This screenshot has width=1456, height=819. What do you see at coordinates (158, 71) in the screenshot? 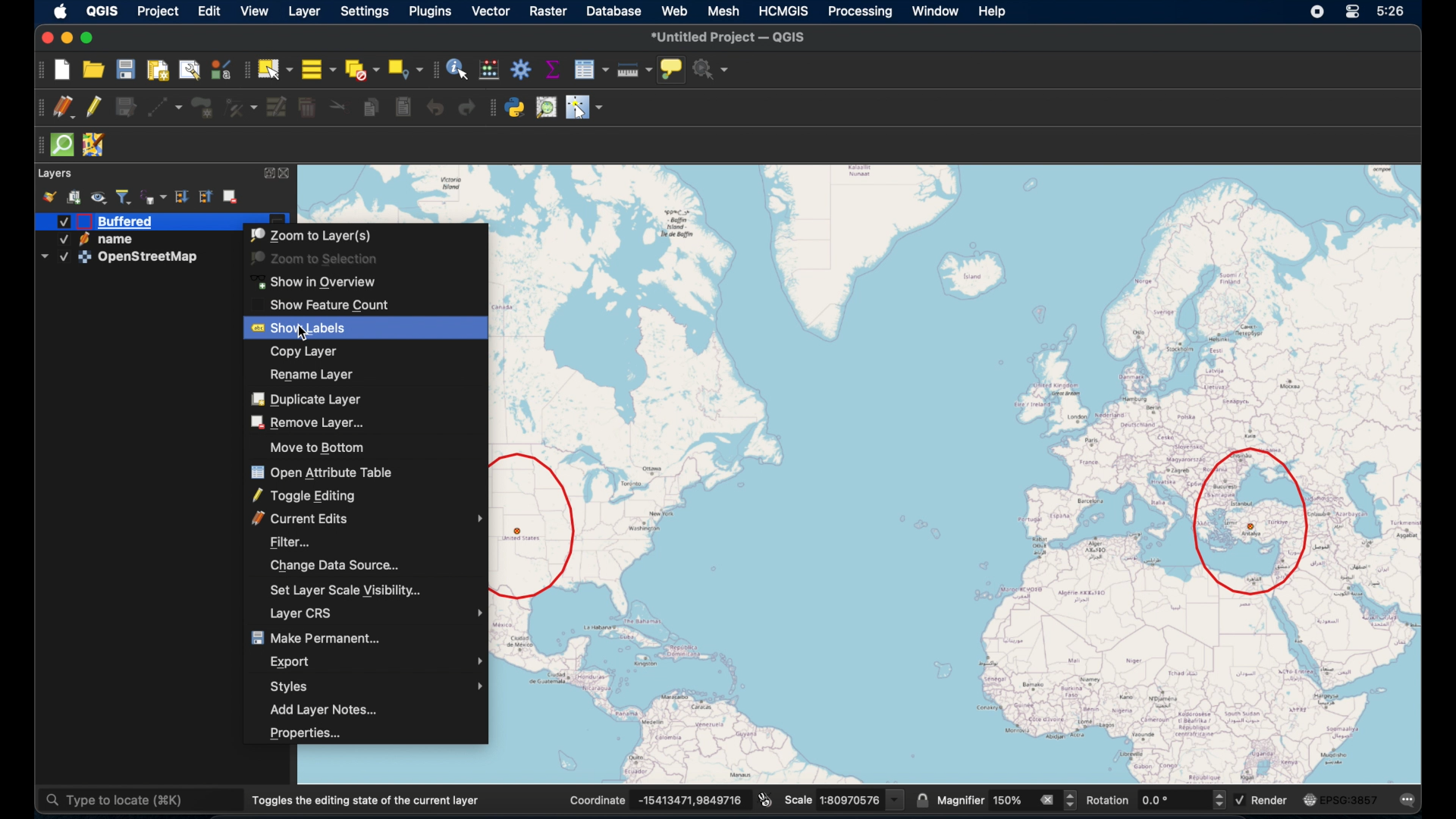
I see `new paint layout` at bounding box center [158, 71].